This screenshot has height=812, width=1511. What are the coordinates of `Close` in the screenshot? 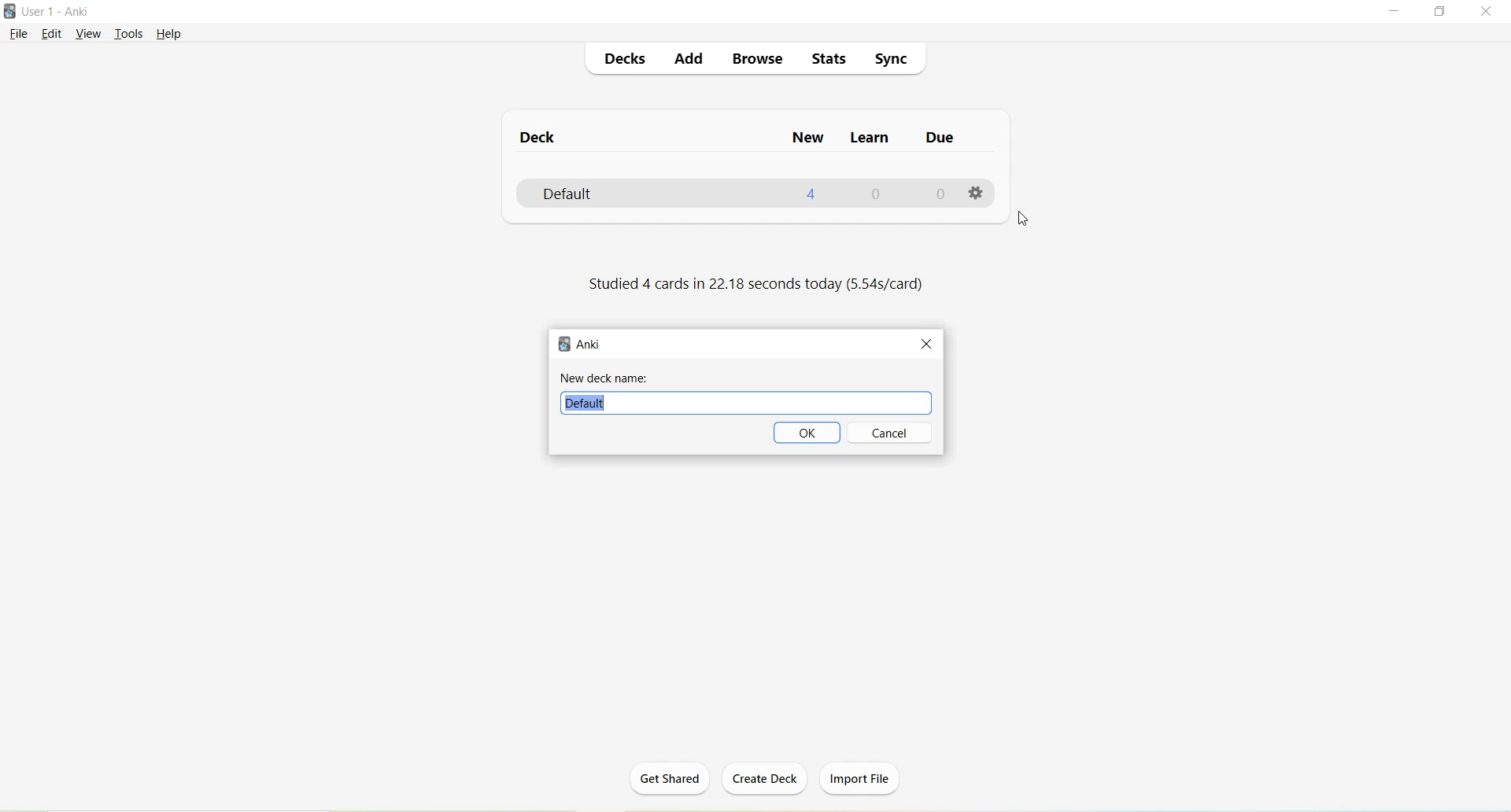 It's located at (926, 342).